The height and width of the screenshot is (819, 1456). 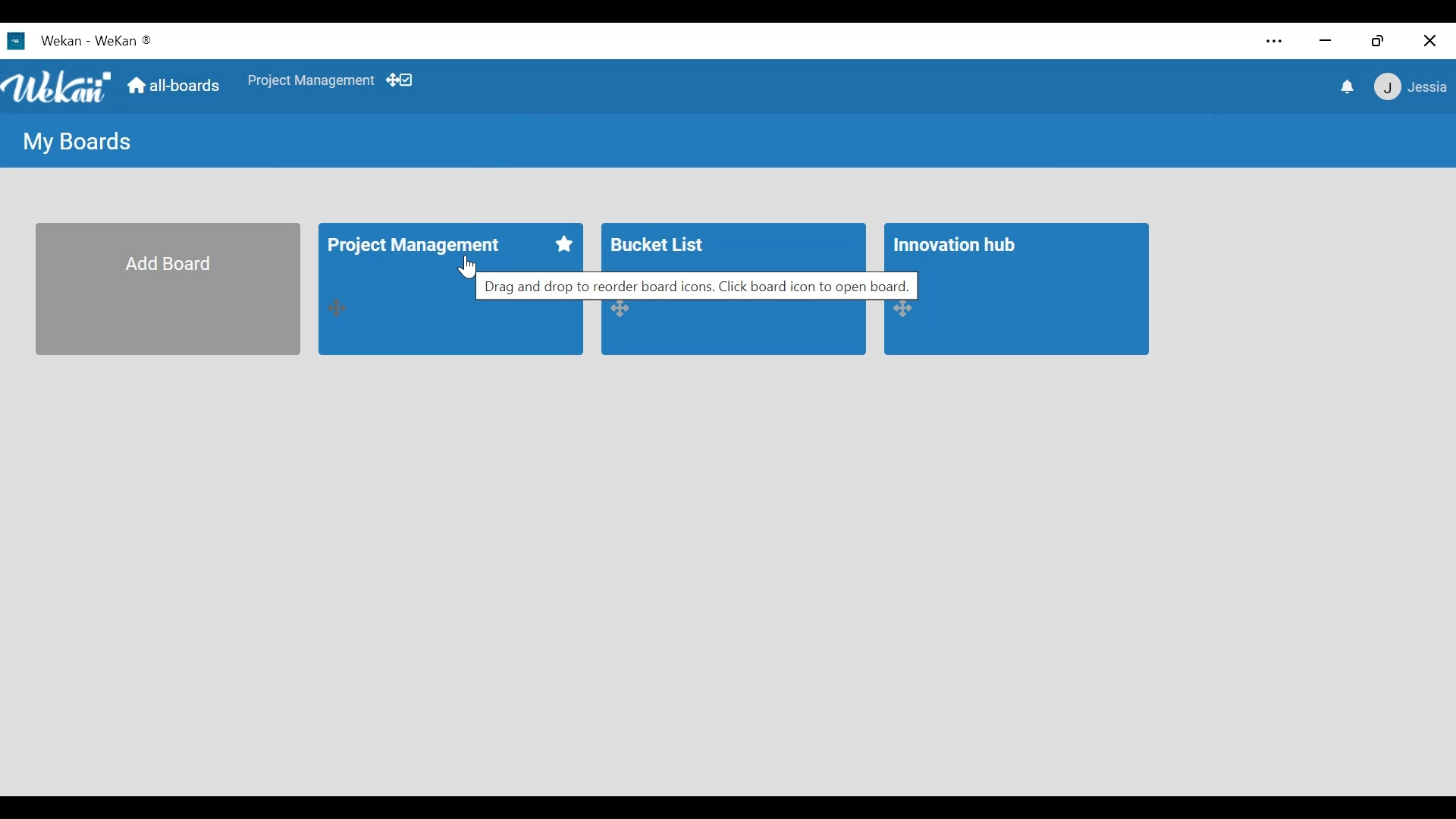 I want to click on Drag and drop to reorder board icons, so click(x=696, y=284).